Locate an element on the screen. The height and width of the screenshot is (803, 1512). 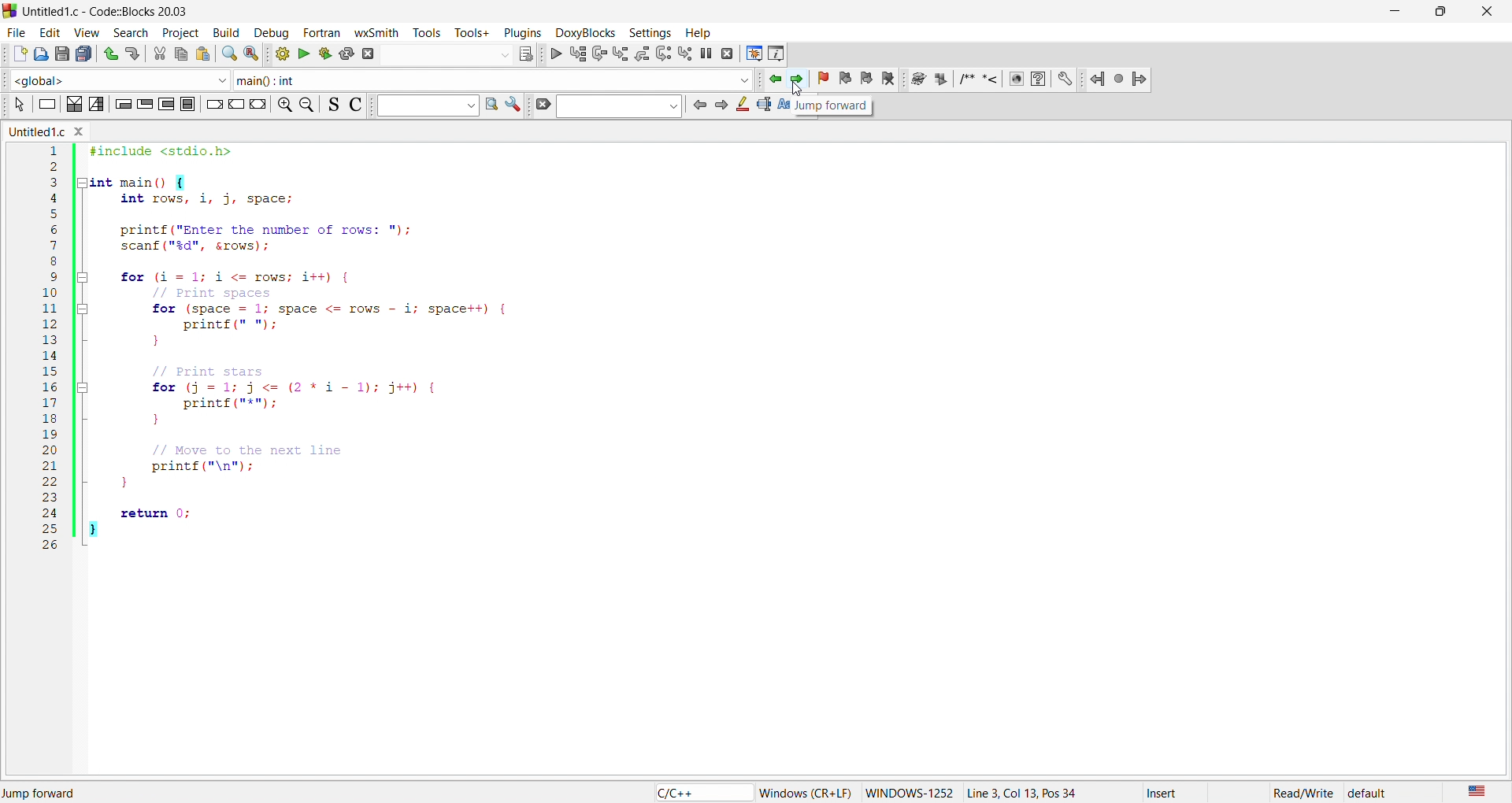
rebuild is located at coordinates (345, 54).